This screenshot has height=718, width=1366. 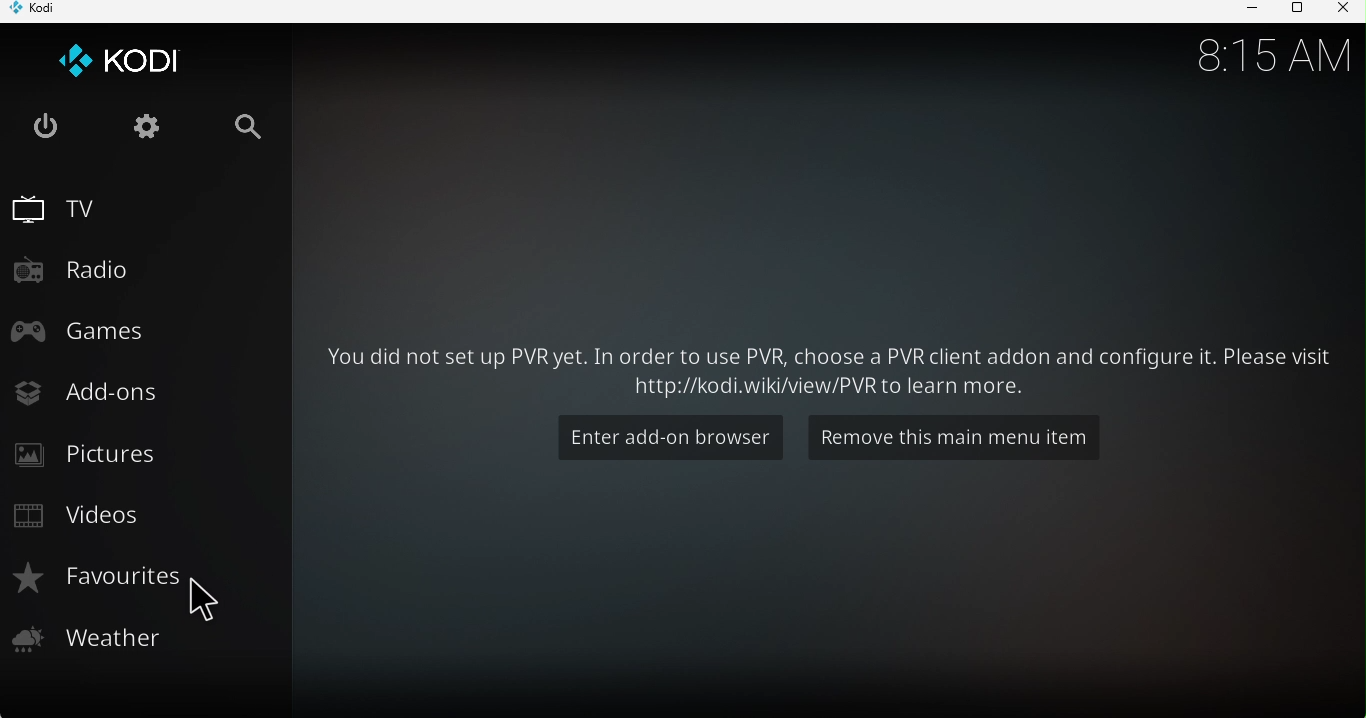 What do you see at coordinates (828, 362) in the screenshot?
I see `You did not set up PVR yet. In order to use PVR, choose a PVR client addon and configure it. Please visit http:/kodi/wiki/PVR to learn more.` at bounding box center [828, 362].